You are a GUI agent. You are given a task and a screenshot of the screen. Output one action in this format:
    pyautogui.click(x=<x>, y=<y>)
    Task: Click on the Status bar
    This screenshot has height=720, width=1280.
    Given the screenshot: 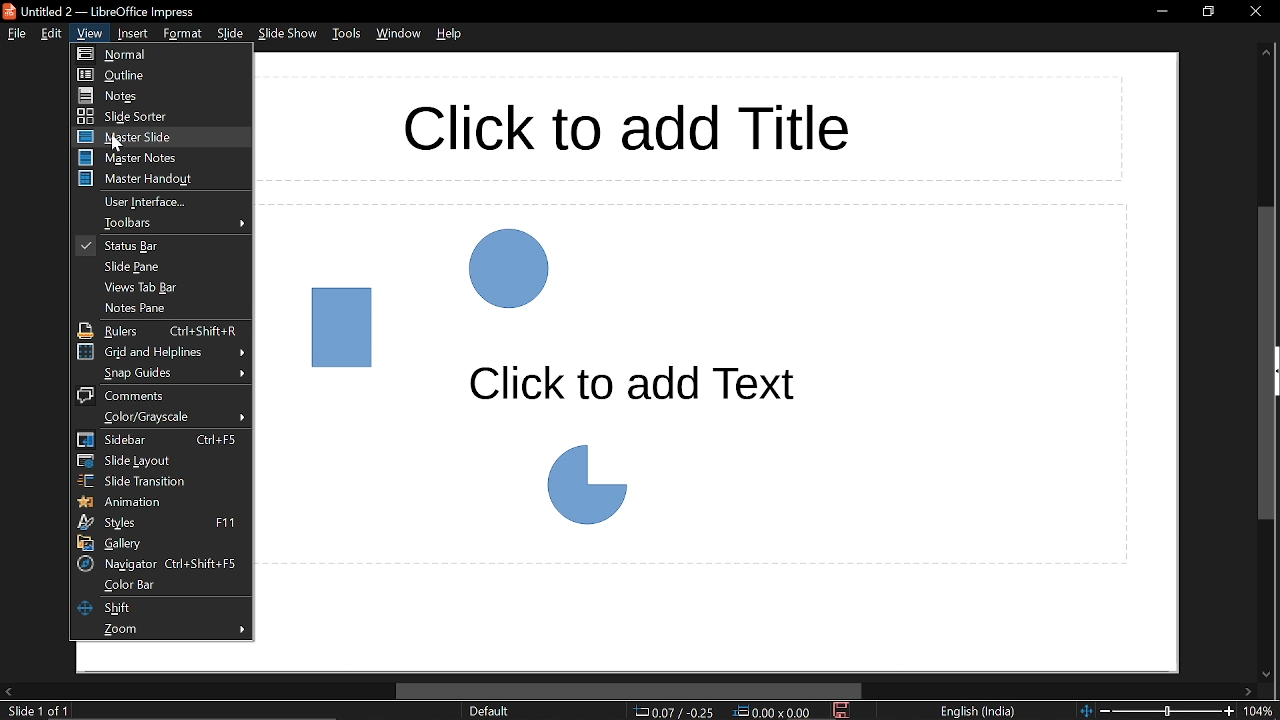 What is the action you would take?
    pyautogui.click(x=160, y=246)
    